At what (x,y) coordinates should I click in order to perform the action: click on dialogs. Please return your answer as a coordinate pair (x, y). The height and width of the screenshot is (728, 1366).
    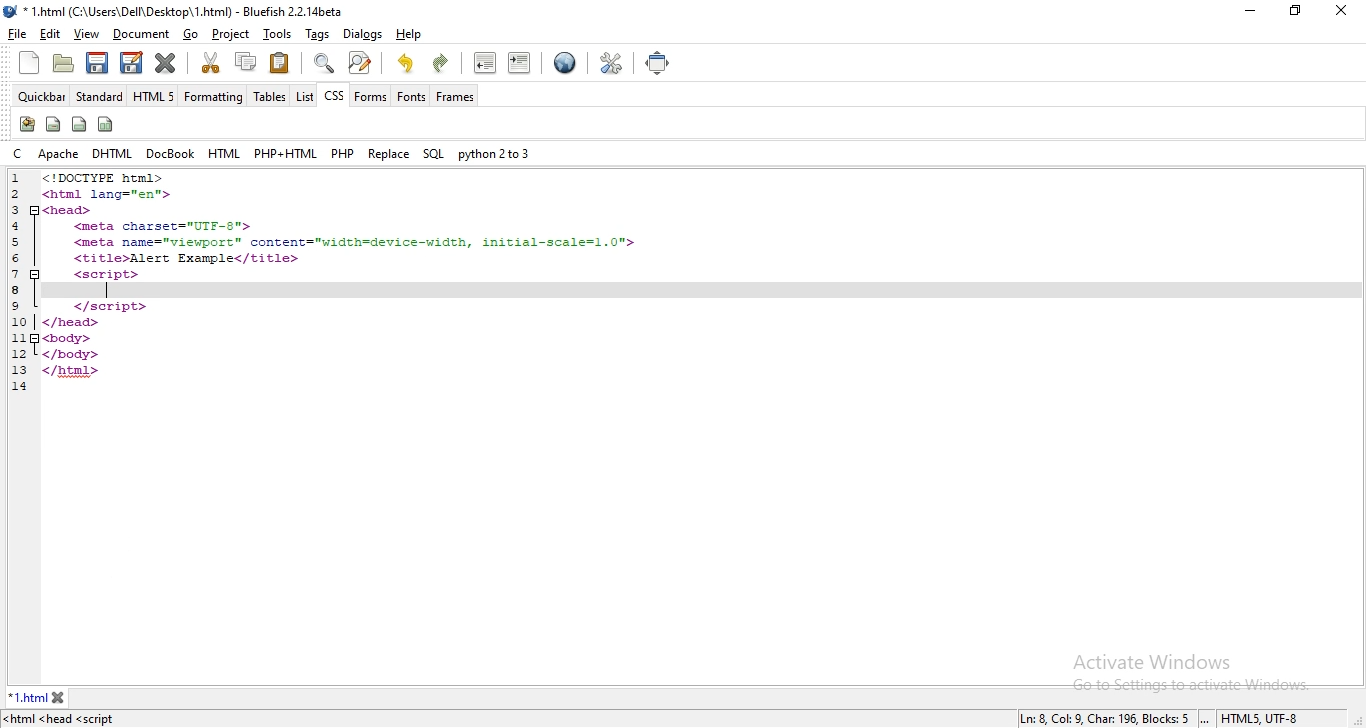
    Looking at the image, I should click on (361, 34).